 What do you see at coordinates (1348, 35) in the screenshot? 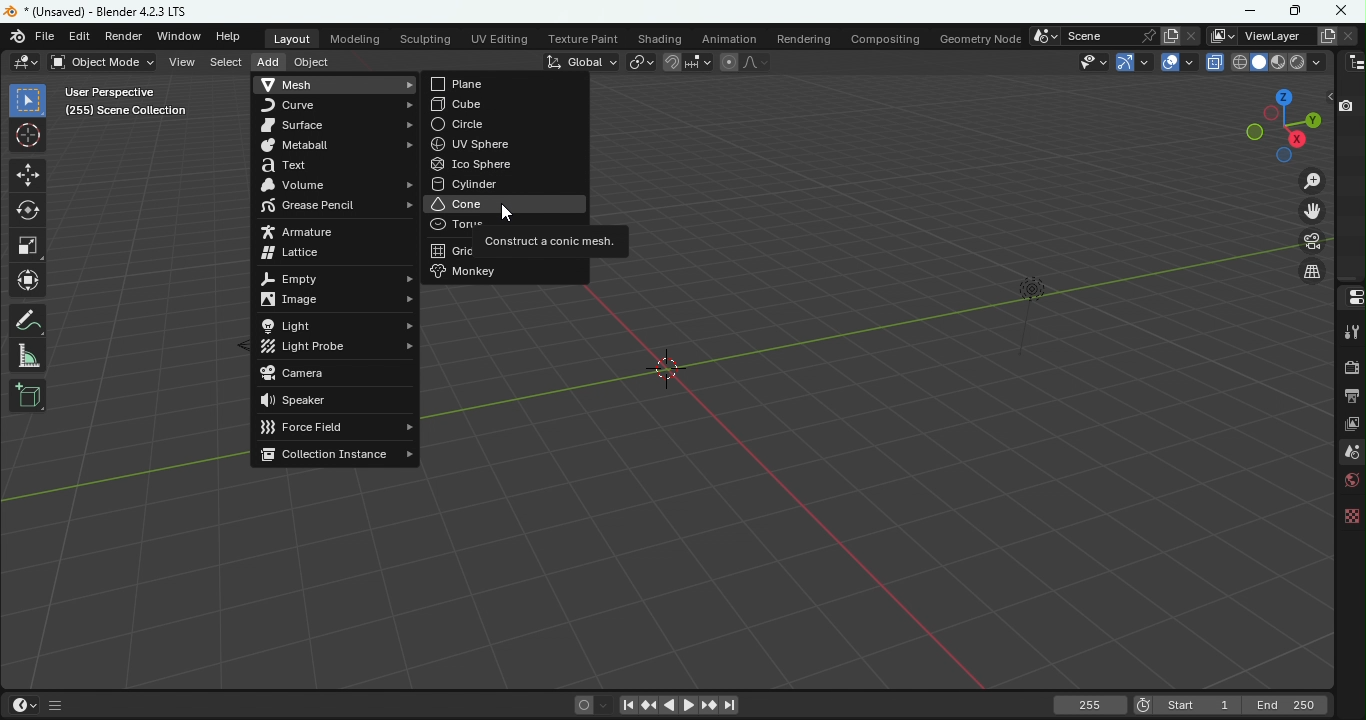
I see `Remove view layer` at bounding box center [1348, 35].